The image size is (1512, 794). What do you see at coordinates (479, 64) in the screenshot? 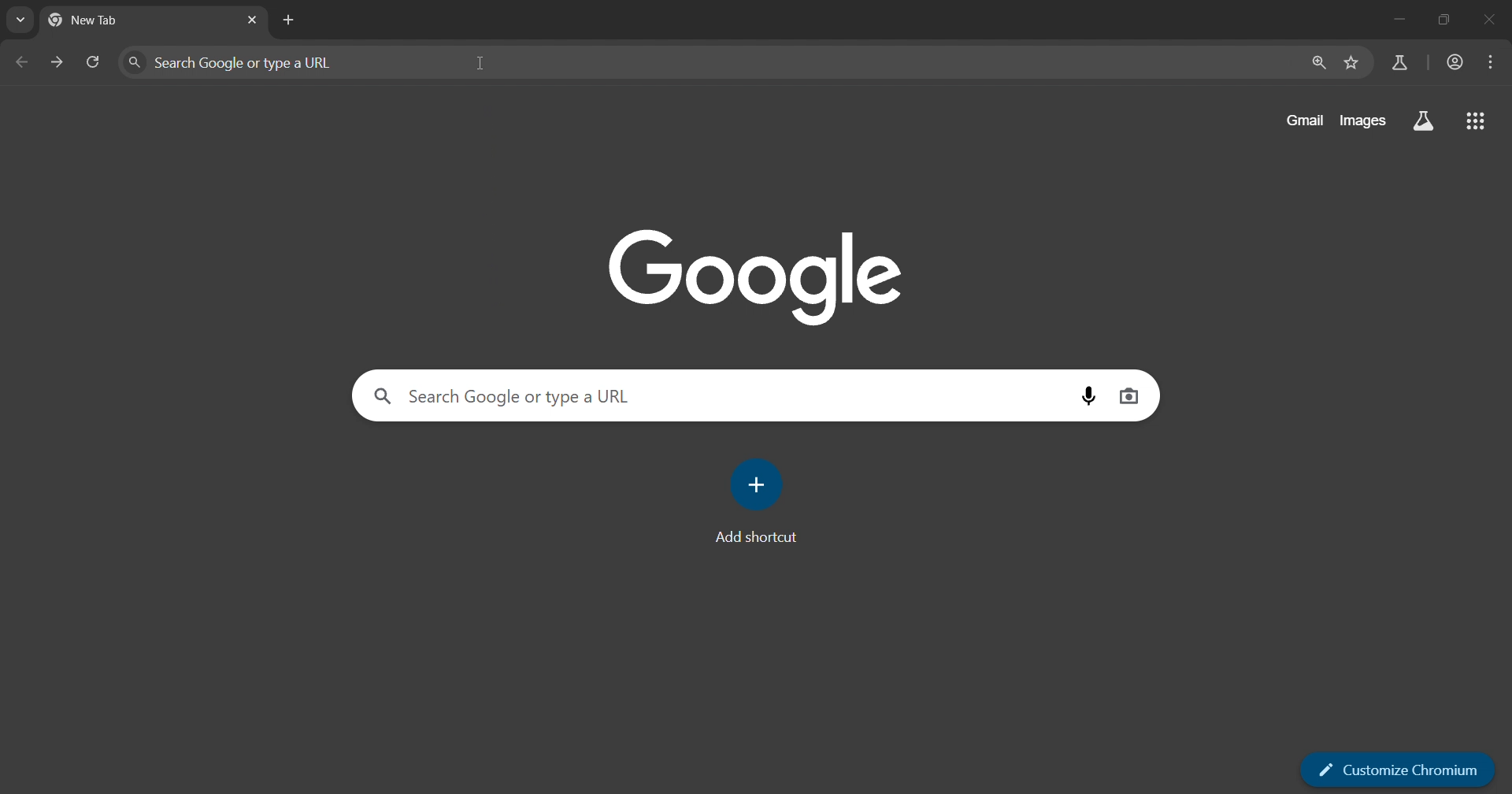
I see `cursor` at bounding box center [479, 64].